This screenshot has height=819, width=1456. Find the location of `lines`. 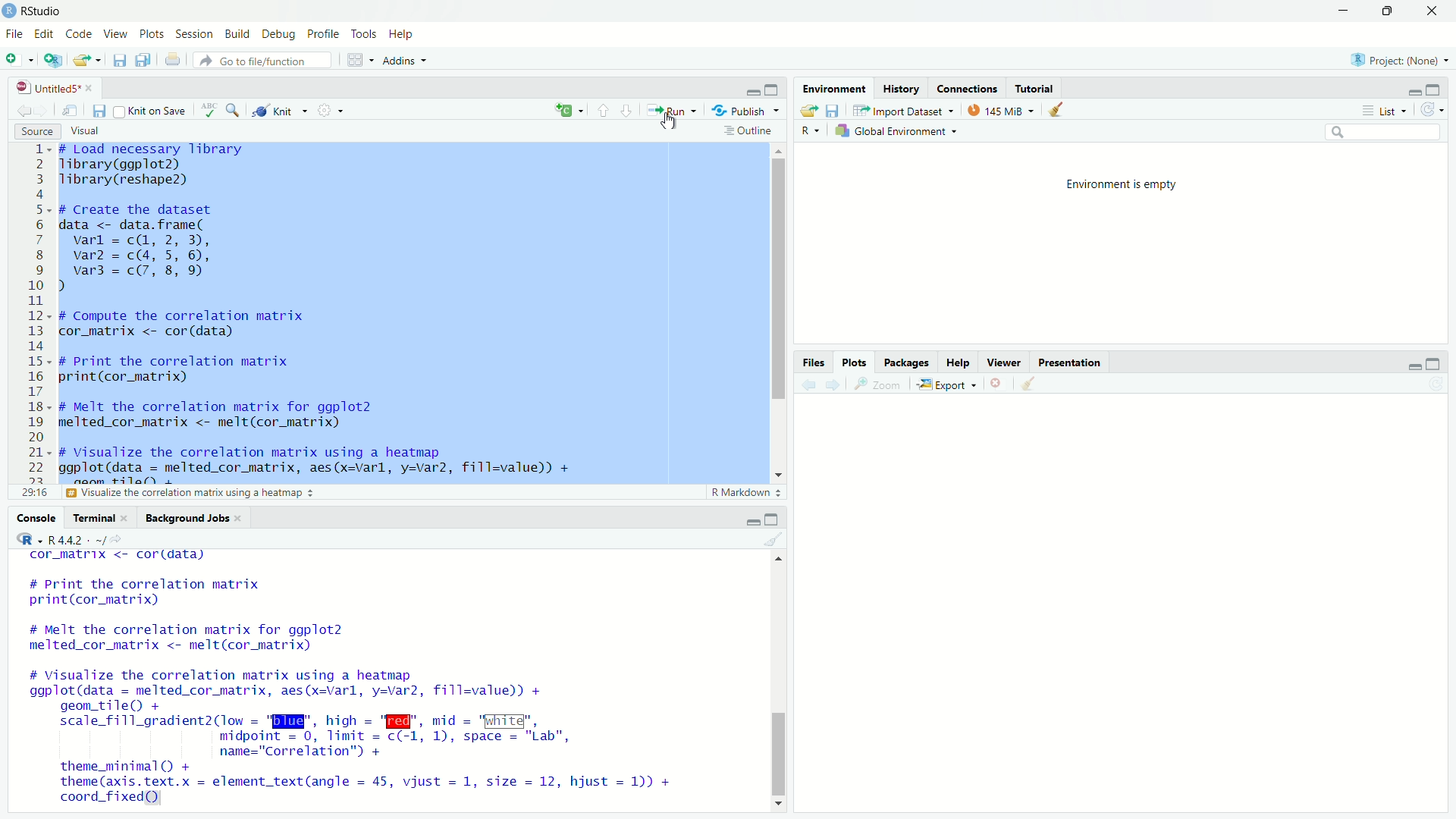

lines is located at coordinates (39, 321).